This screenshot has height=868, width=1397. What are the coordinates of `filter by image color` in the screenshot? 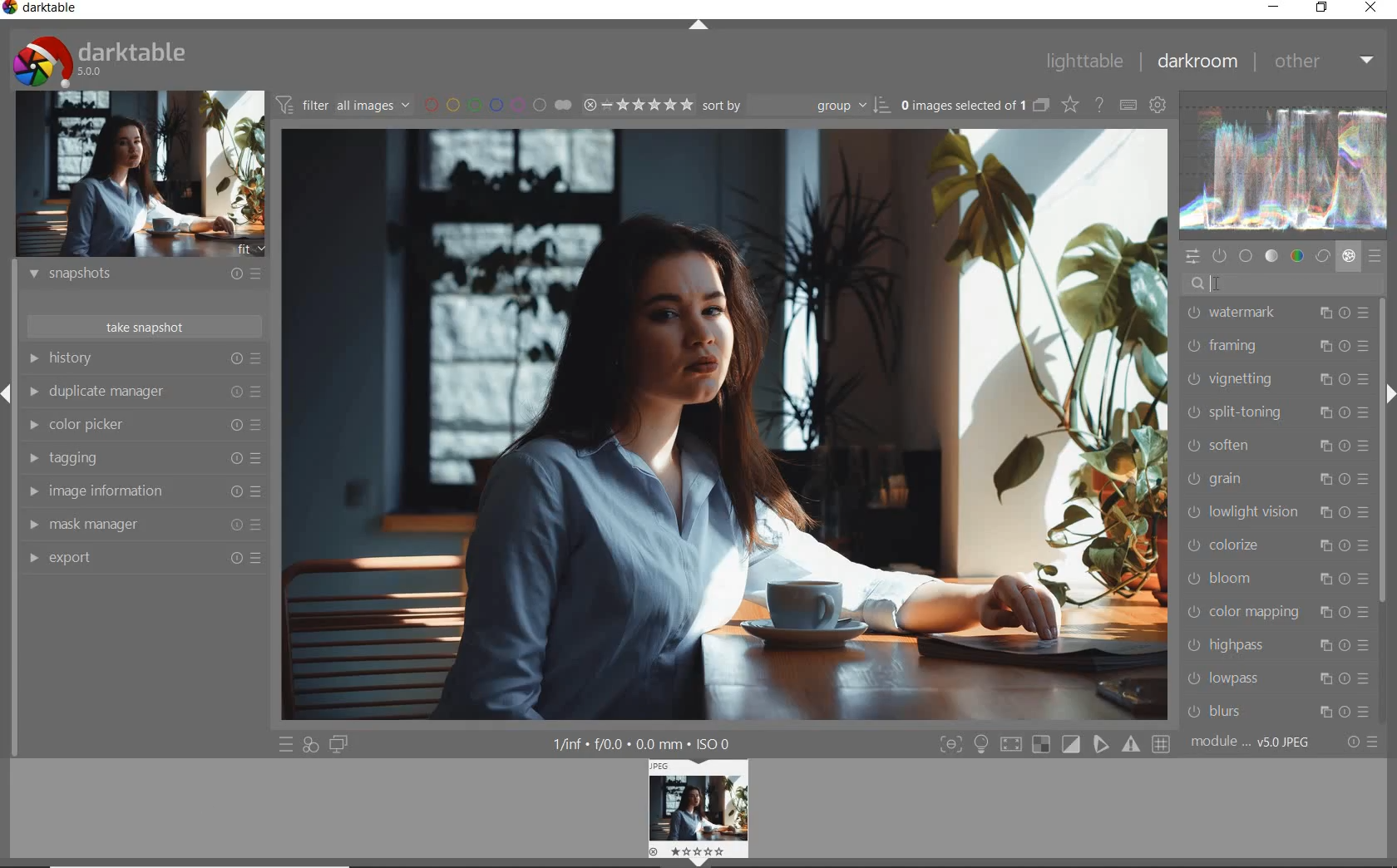 It's located at (498, 105).